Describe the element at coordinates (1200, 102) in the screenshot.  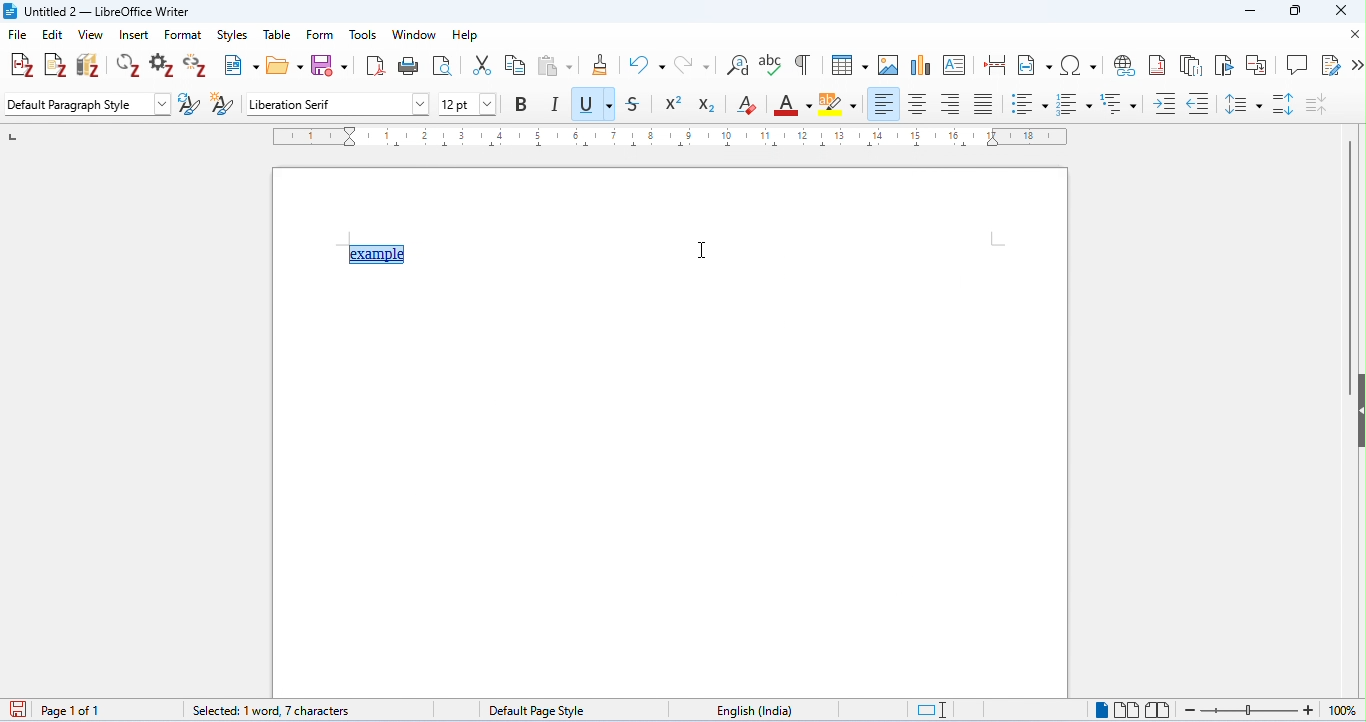
I see `decrease indent` at that location.